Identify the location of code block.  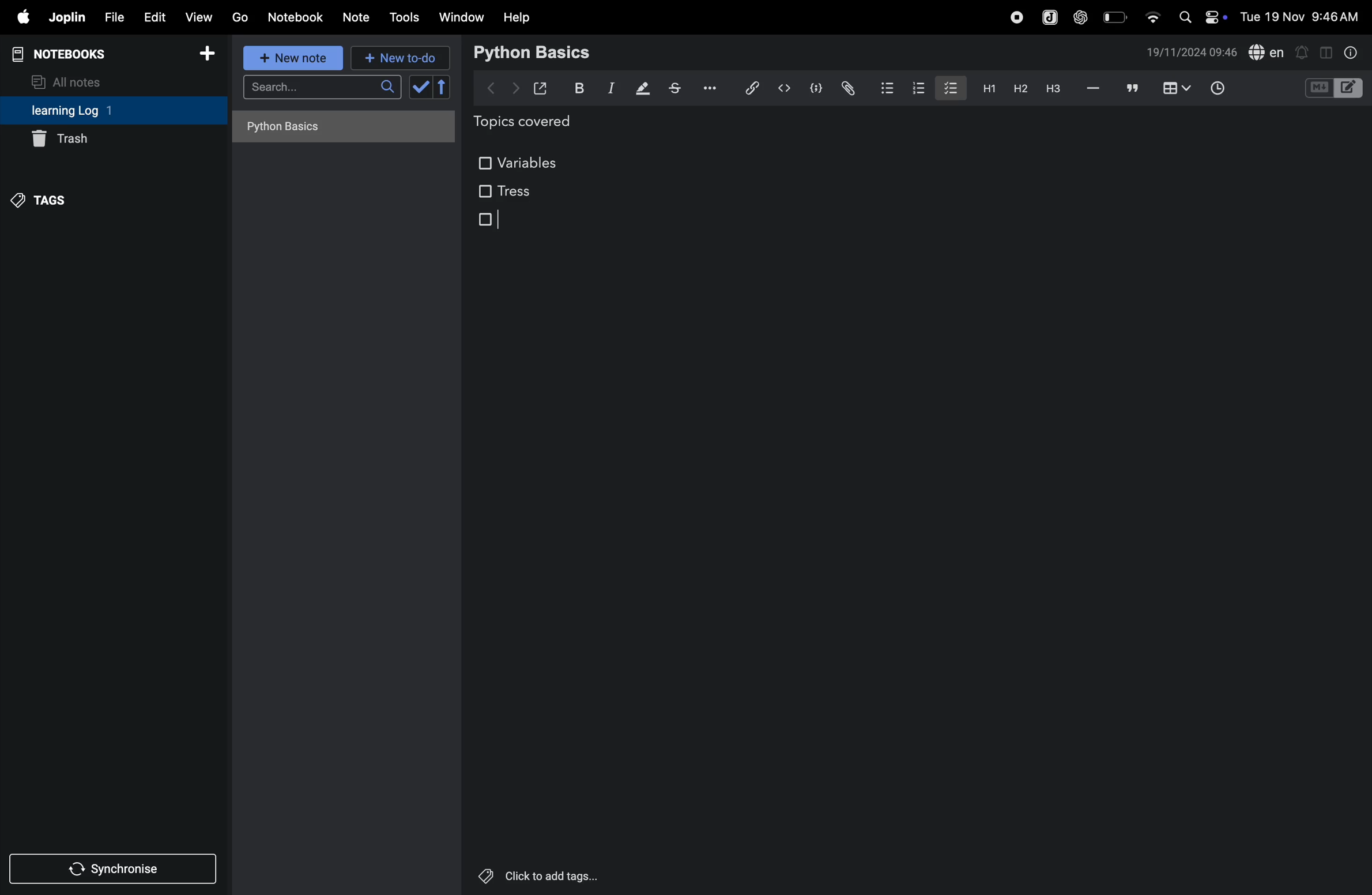
(814, 89).